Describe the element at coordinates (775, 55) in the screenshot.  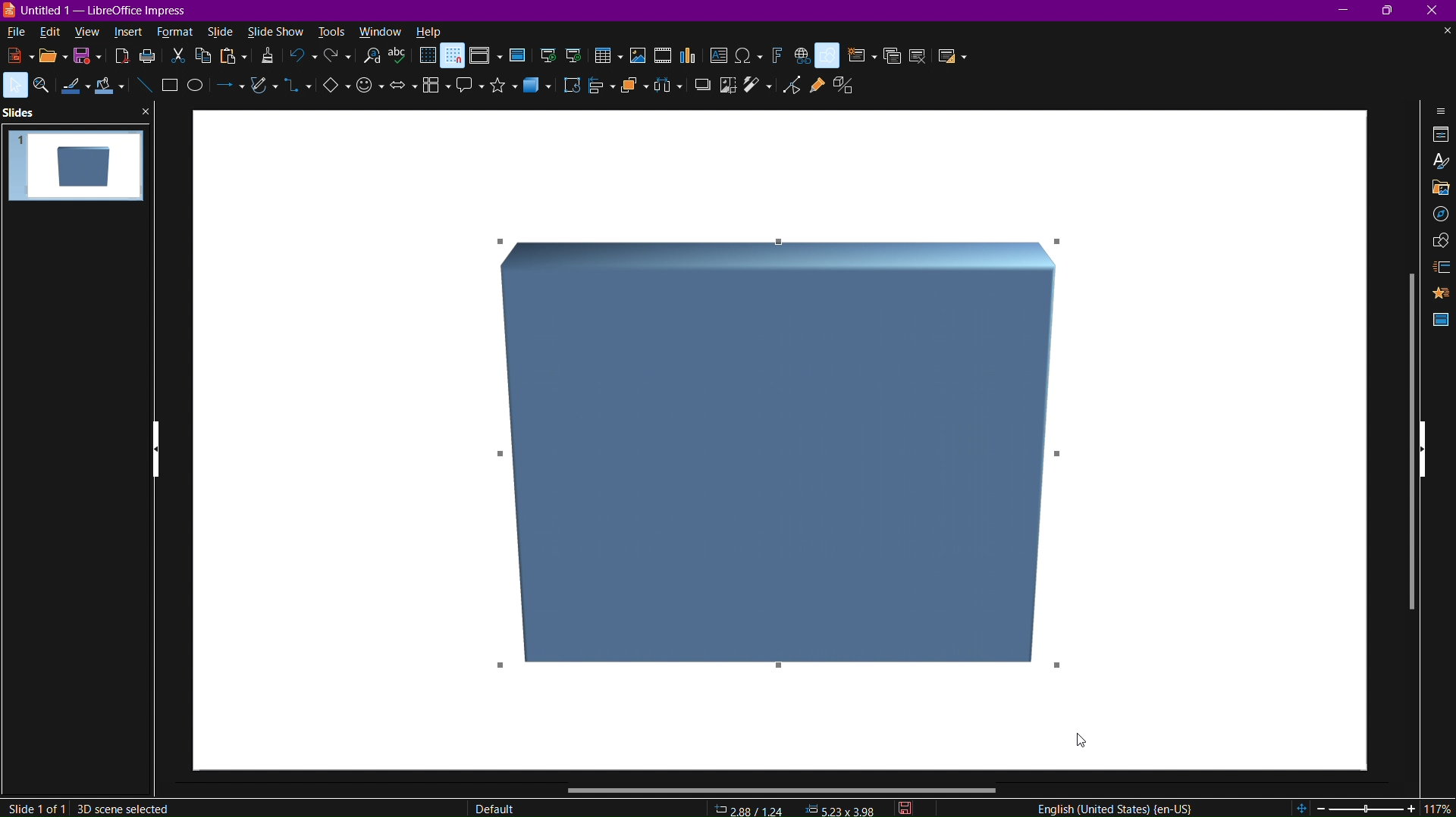
I see `Insert Fontwork Text` at that location.